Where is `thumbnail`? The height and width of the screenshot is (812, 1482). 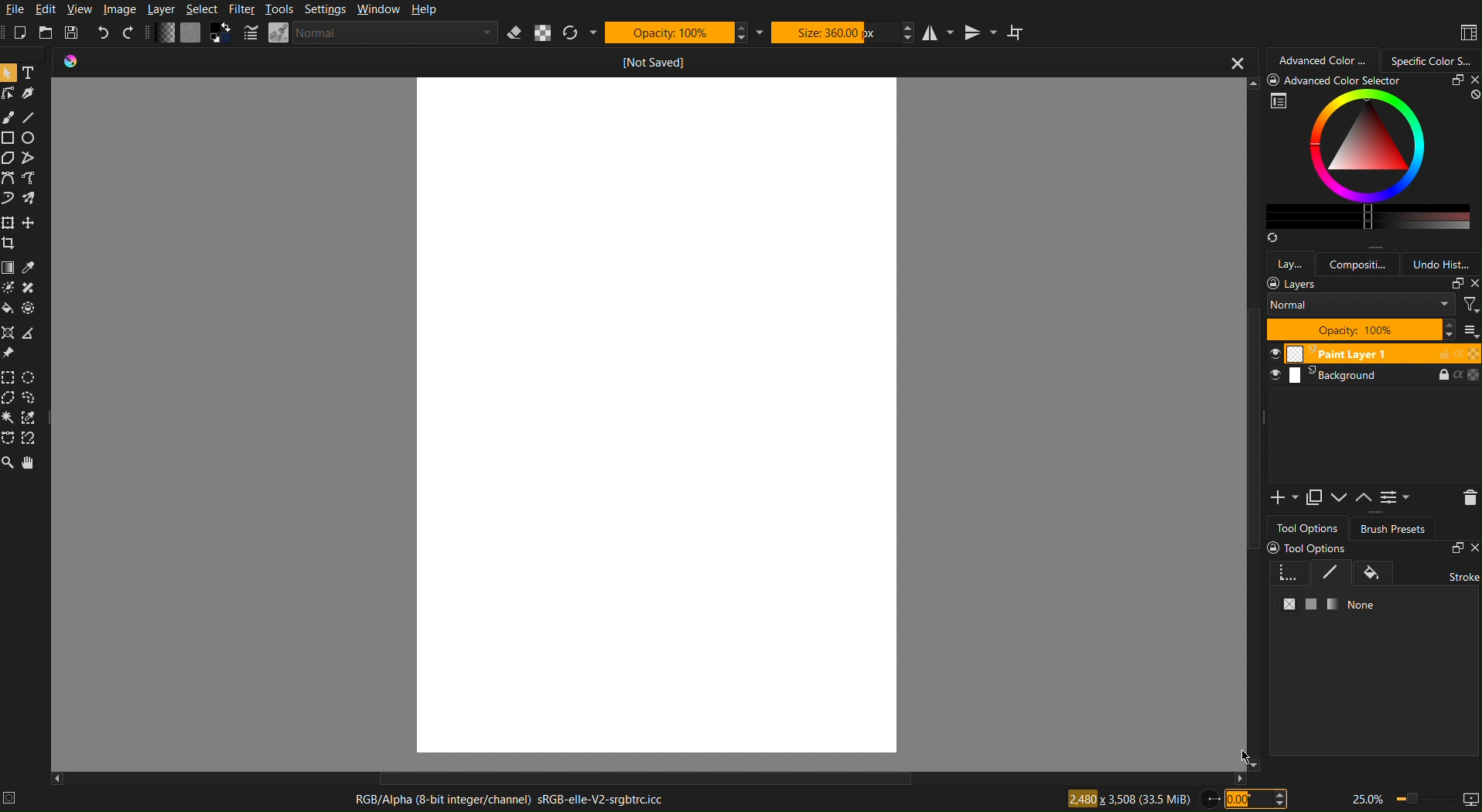
thumbnail is located at coordinates (1469, 330).